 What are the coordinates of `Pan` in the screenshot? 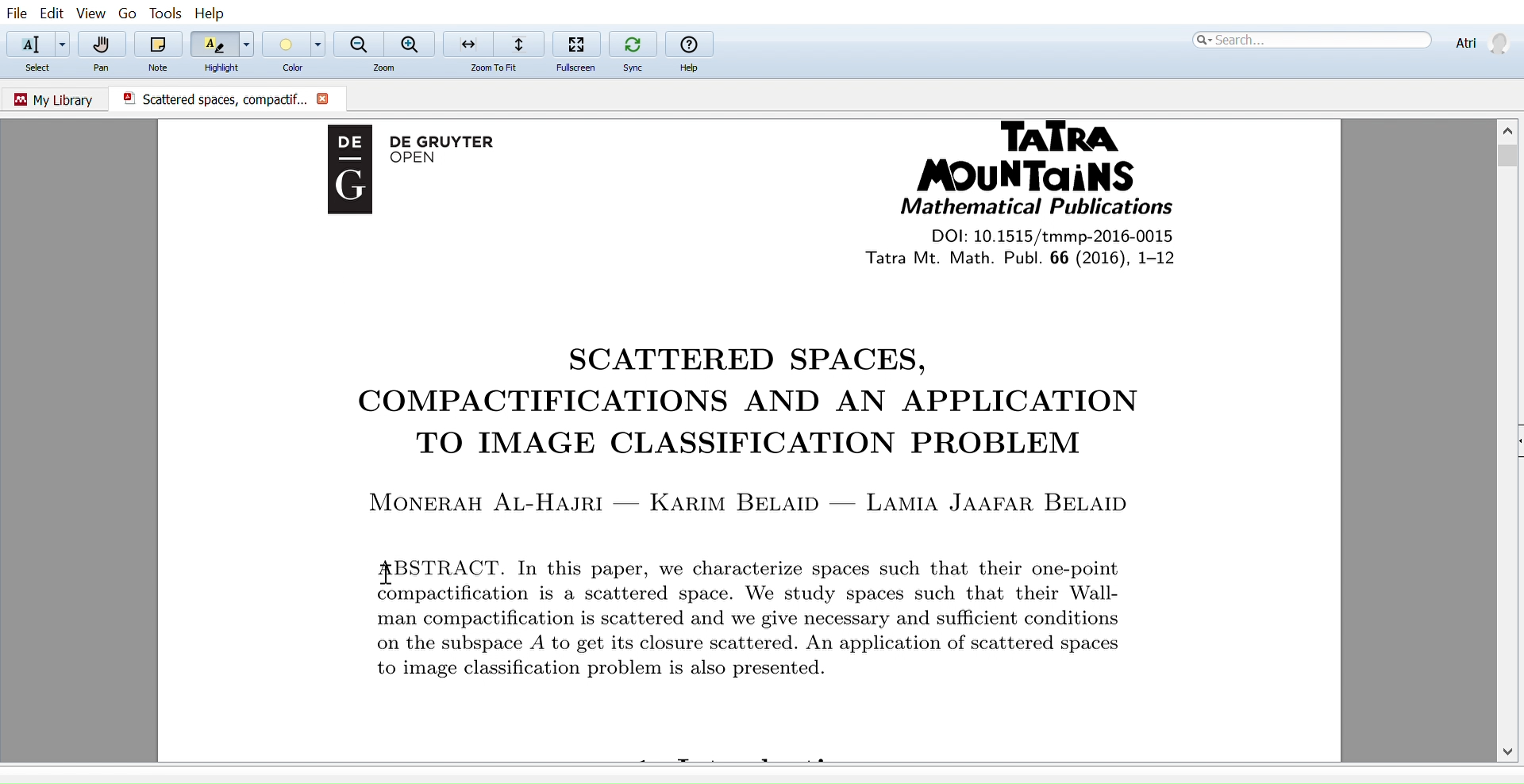 It's located at (104, 44).